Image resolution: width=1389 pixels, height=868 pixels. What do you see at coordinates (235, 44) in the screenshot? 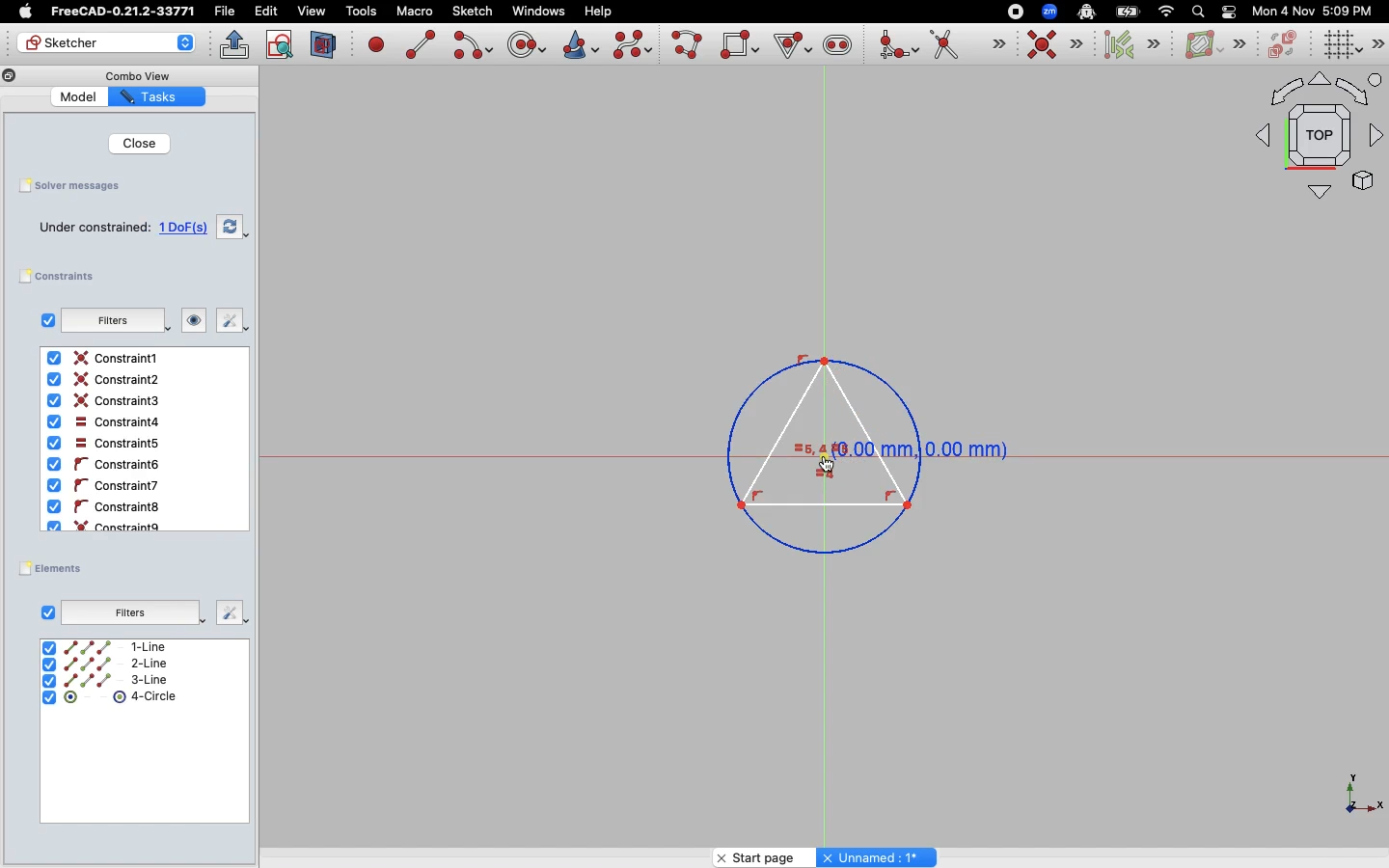
I see `Leave sketch` at bounding box center [235, 44].